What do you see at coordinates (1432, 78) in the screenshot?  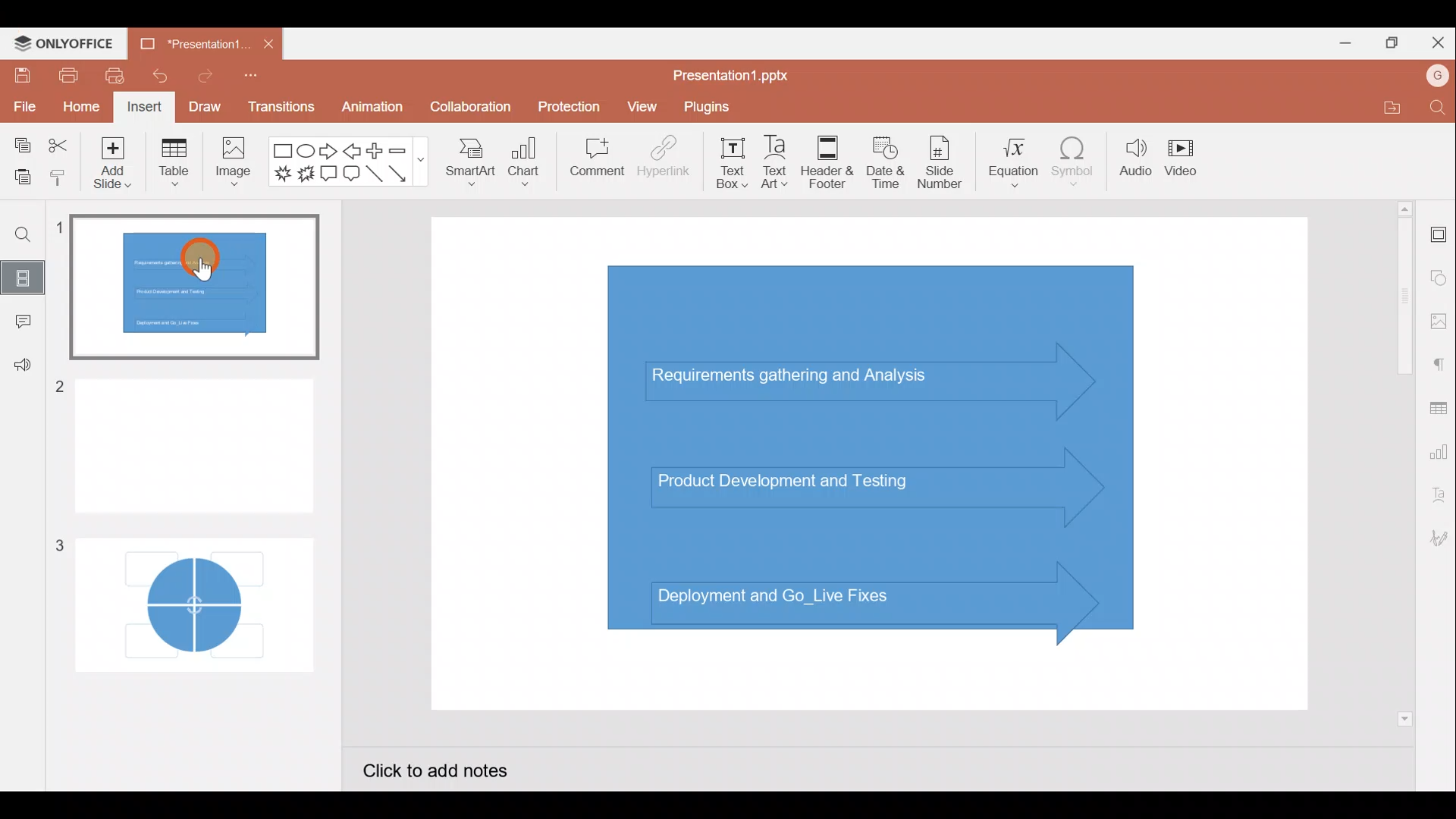 I see `Account name` at bounding box center [1432, 78].